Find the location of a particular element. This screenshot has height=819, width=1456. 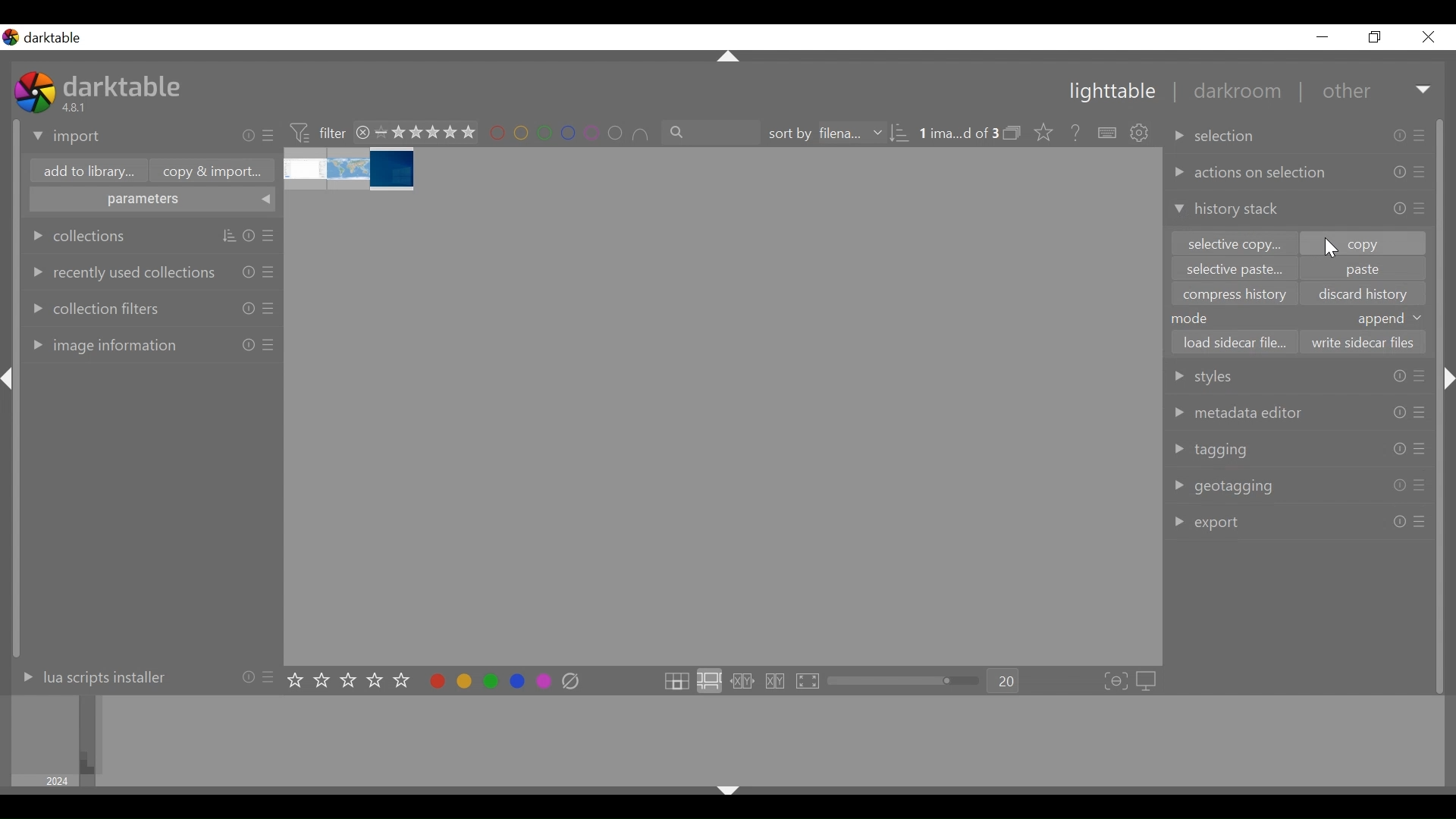

paste is located at coordinates (1363, 269).